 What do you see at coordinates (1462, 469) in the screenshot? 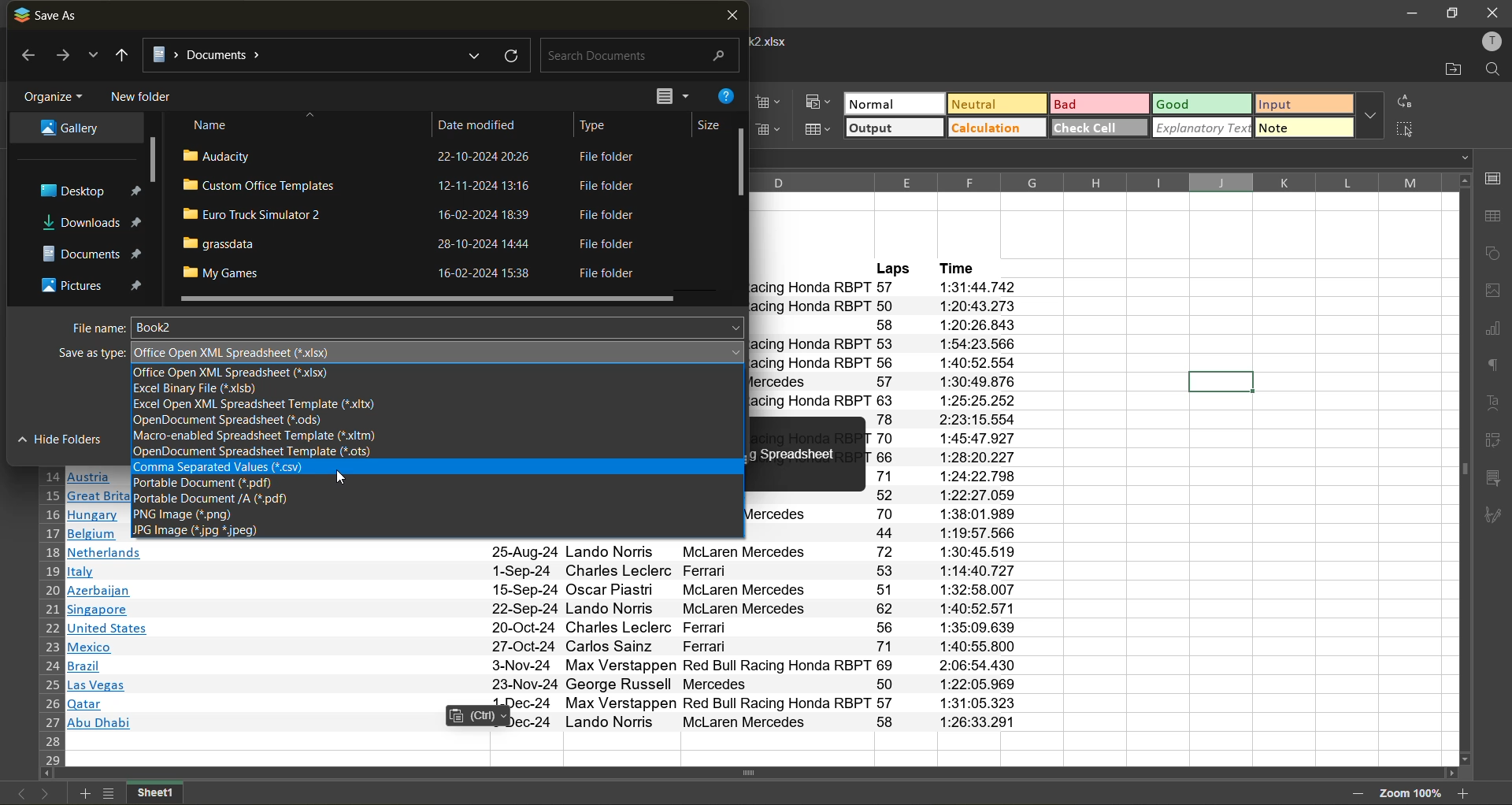
I see `vertical scrollbar` at bounding box center [1462, 469].